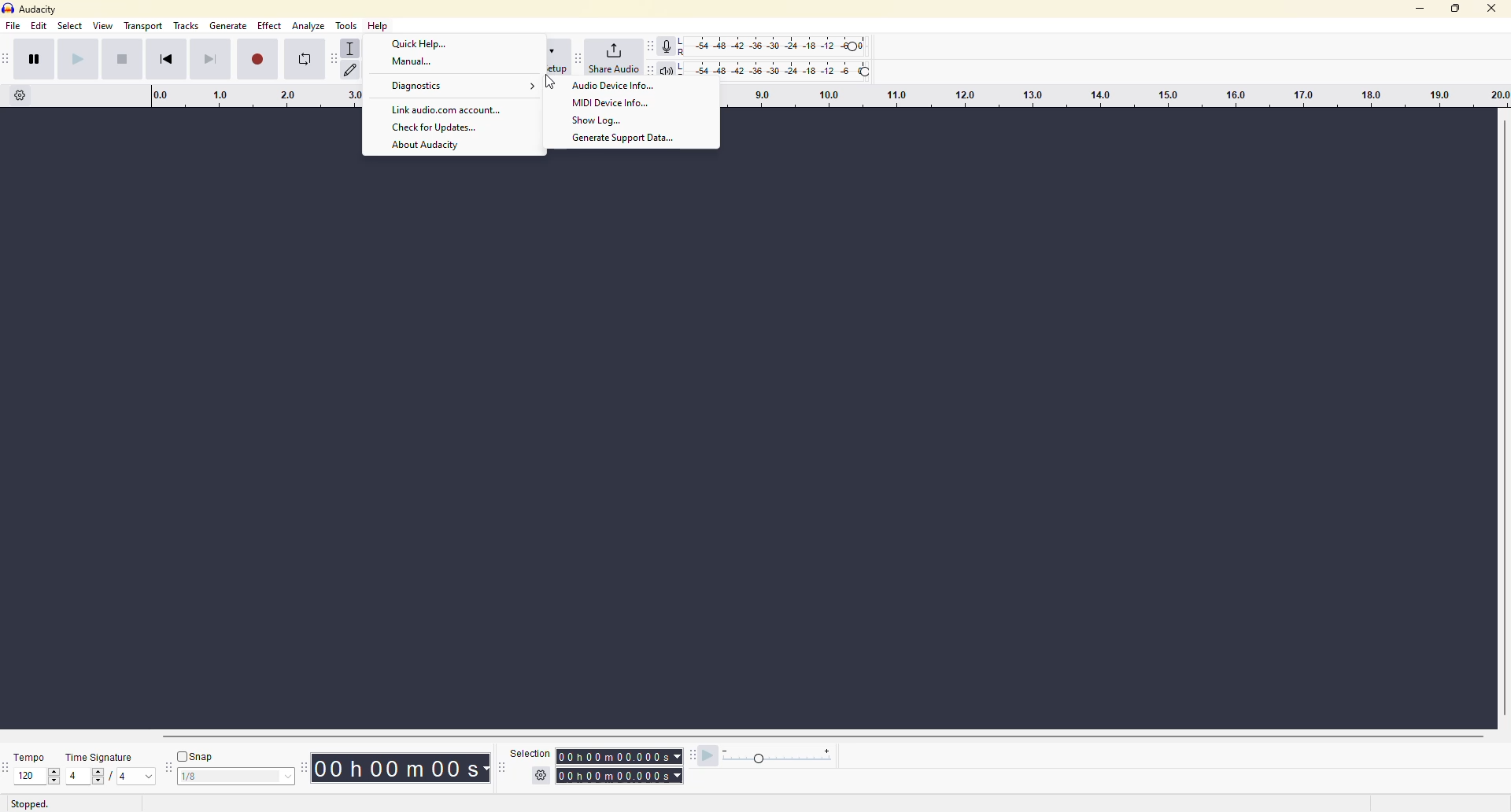 Image resolution: width=1511 pixels, height=812 pixels. What do you see at coordinates (1110, 96) in the screenshot?
I see `click and drag to define a looping region` at bounding box center [1110, 96].